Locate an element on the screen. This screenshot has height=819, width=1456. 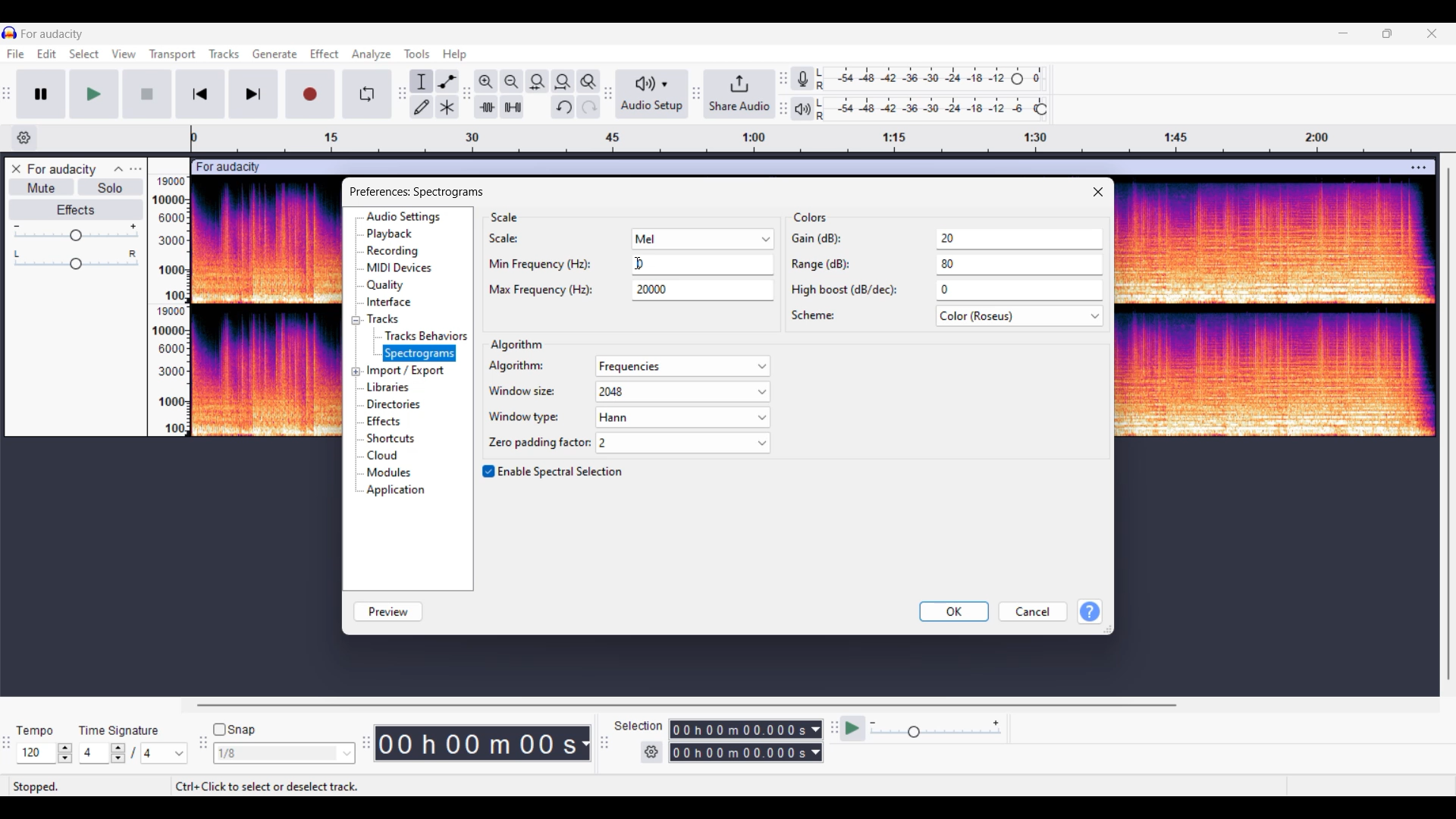
Track settings is located at coordinates (1418, 169).